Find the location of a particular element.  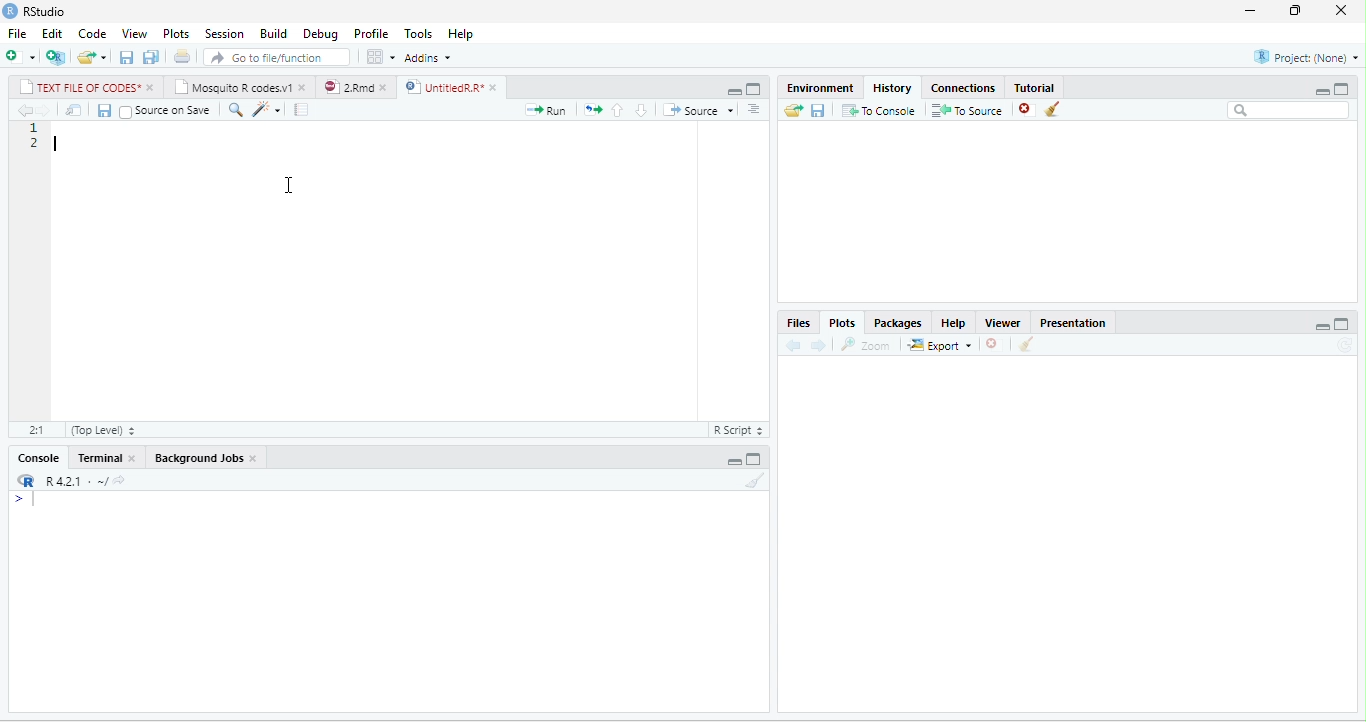

compile report is located at coordinates (301, 109).